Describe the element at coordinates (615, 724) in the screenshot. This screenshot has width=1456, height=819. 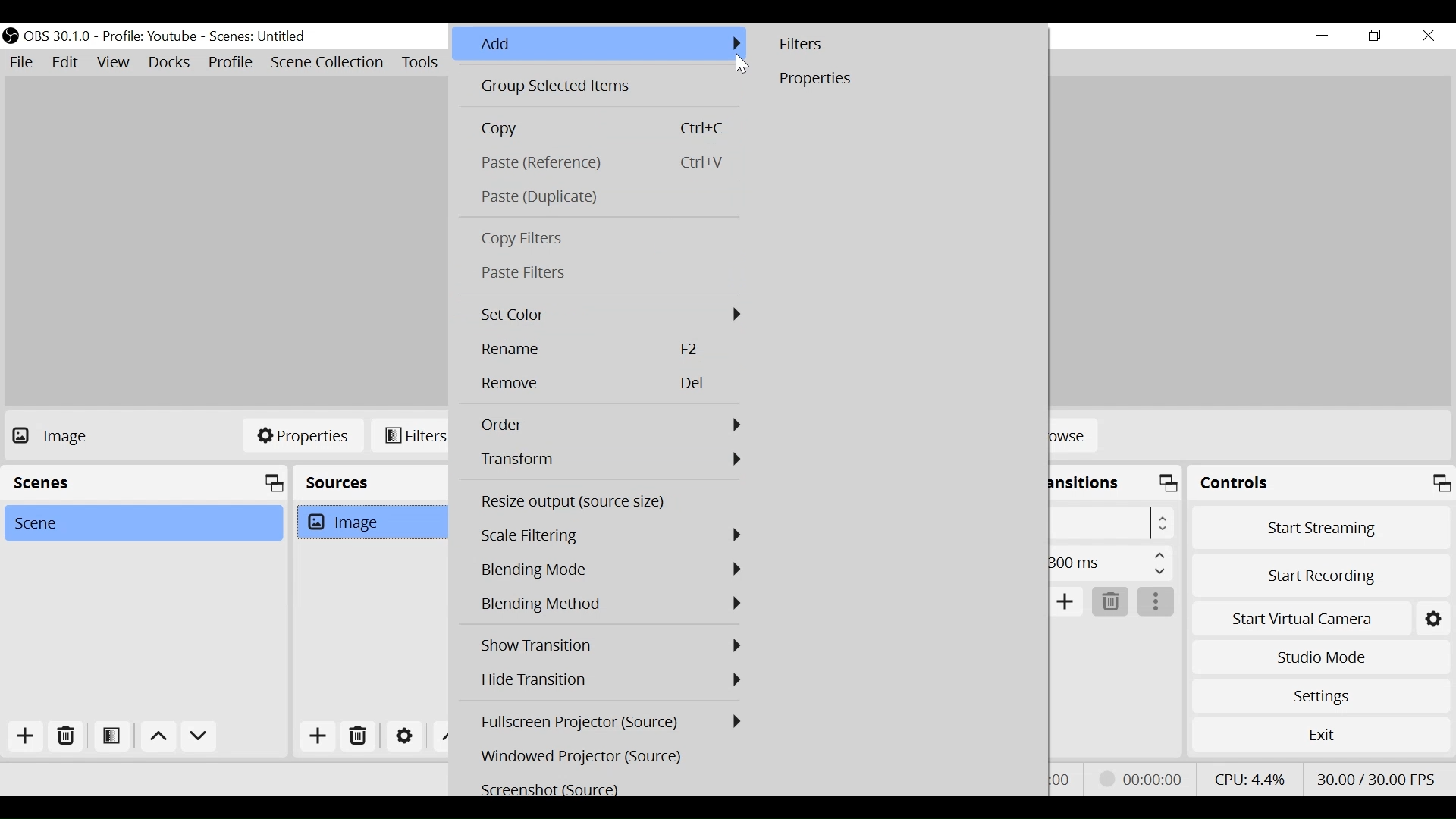
I see `Fullscreen Projector (Source)` at that location.